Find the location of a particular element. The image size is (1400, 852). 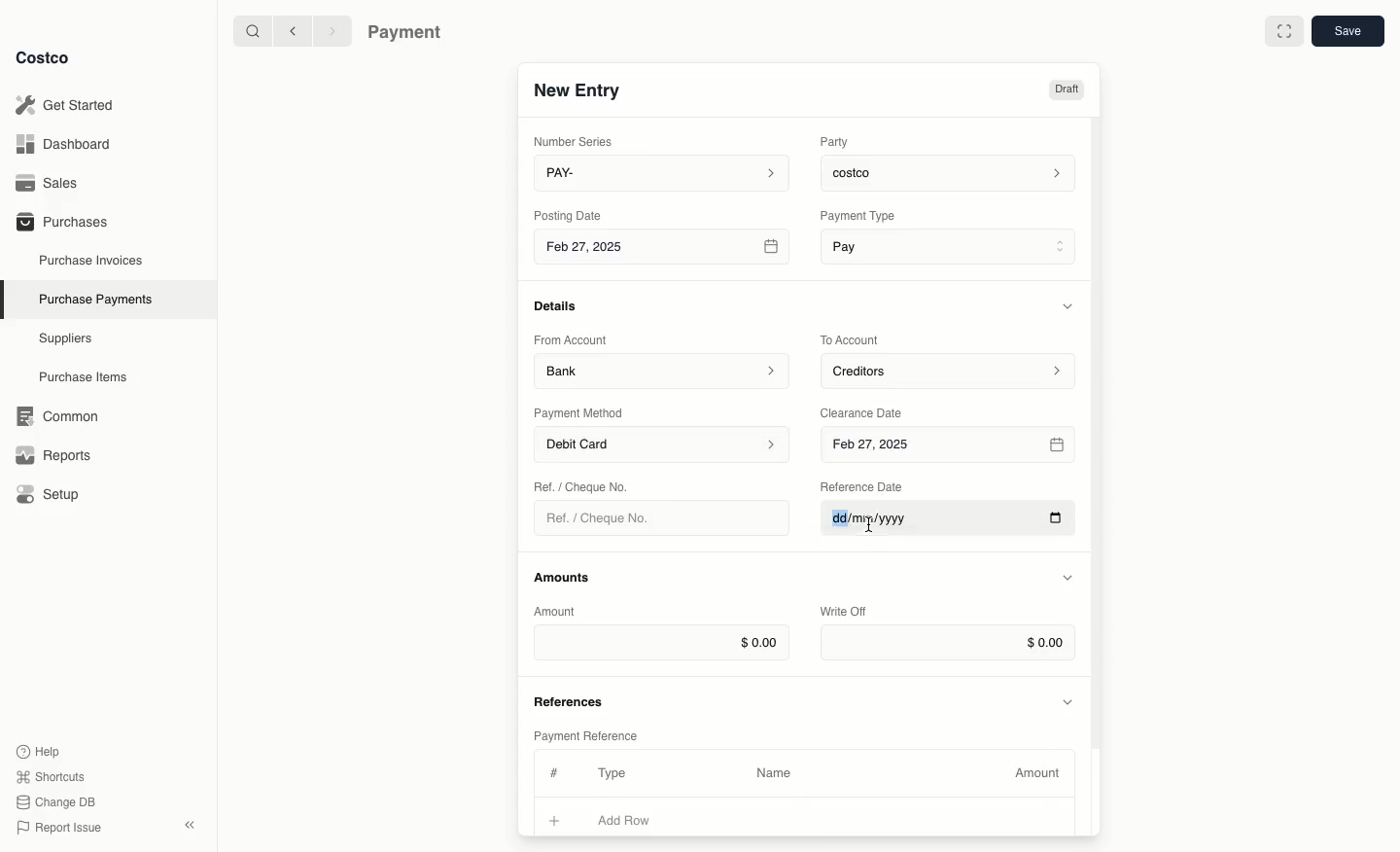

PAY- is located at coordinates (663, 172).